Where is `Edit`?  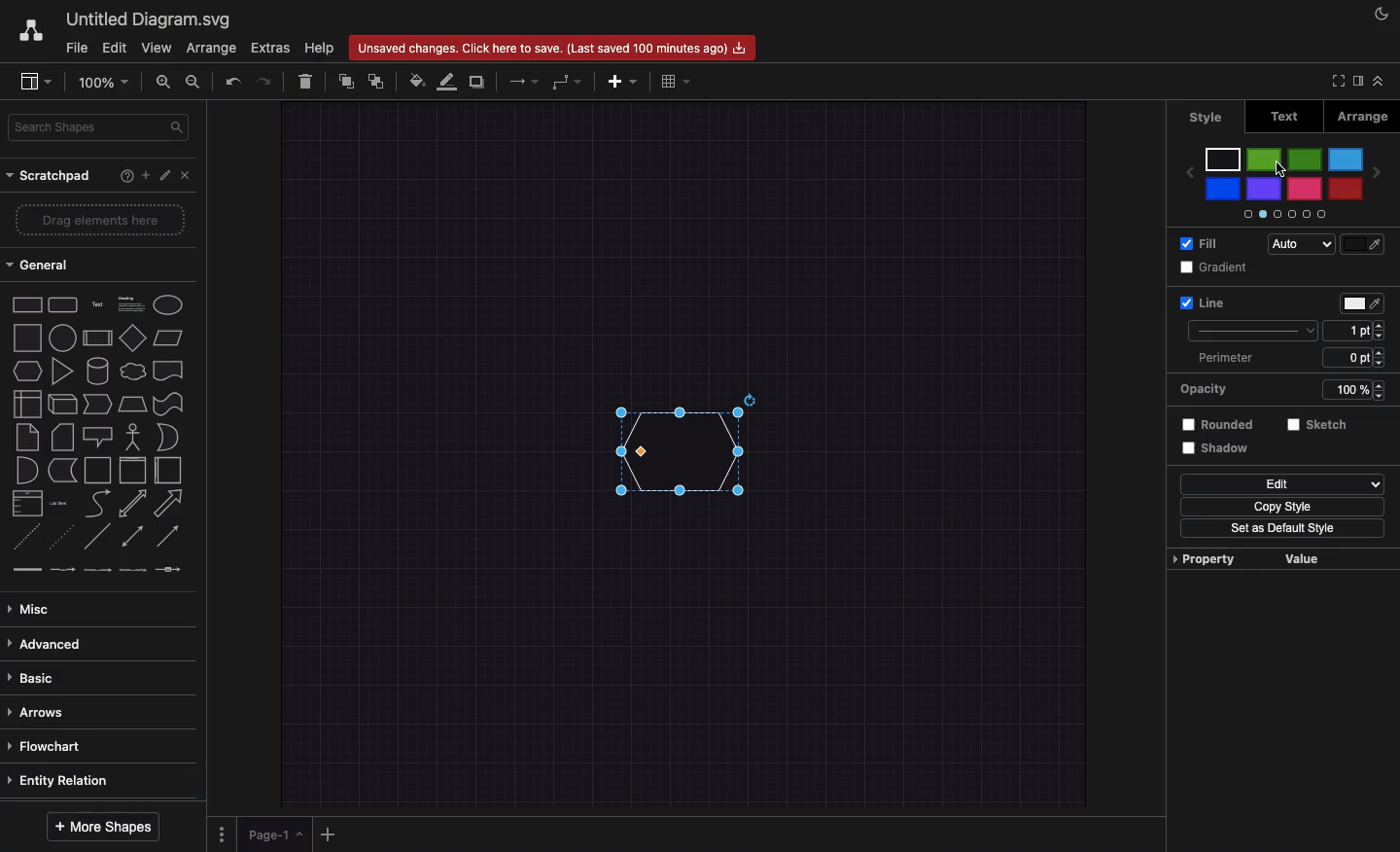
Edit is located at coordinates (116, 48).